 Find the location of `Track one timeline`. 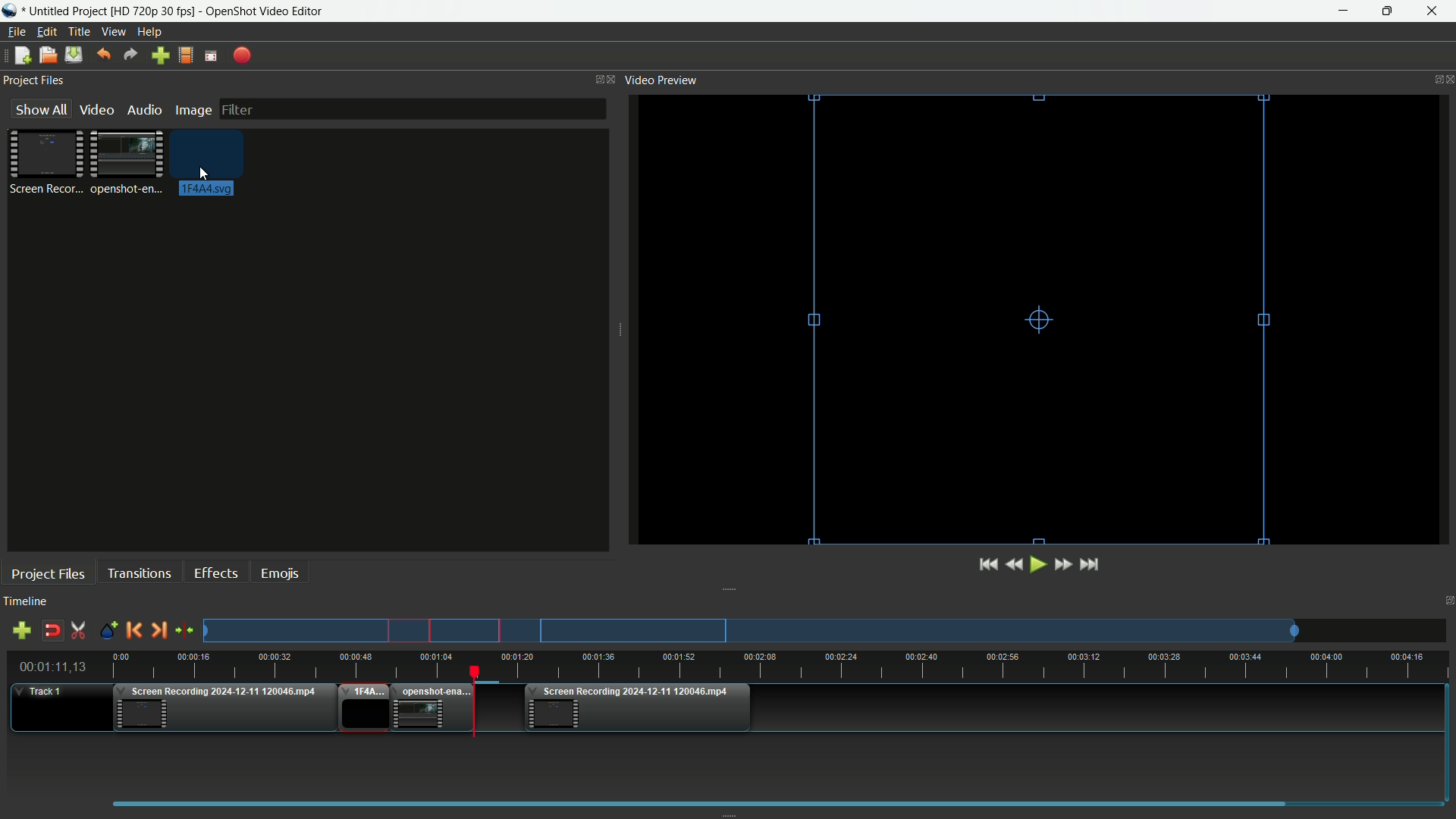

Track one timeline is located at coordinates (42, 692).